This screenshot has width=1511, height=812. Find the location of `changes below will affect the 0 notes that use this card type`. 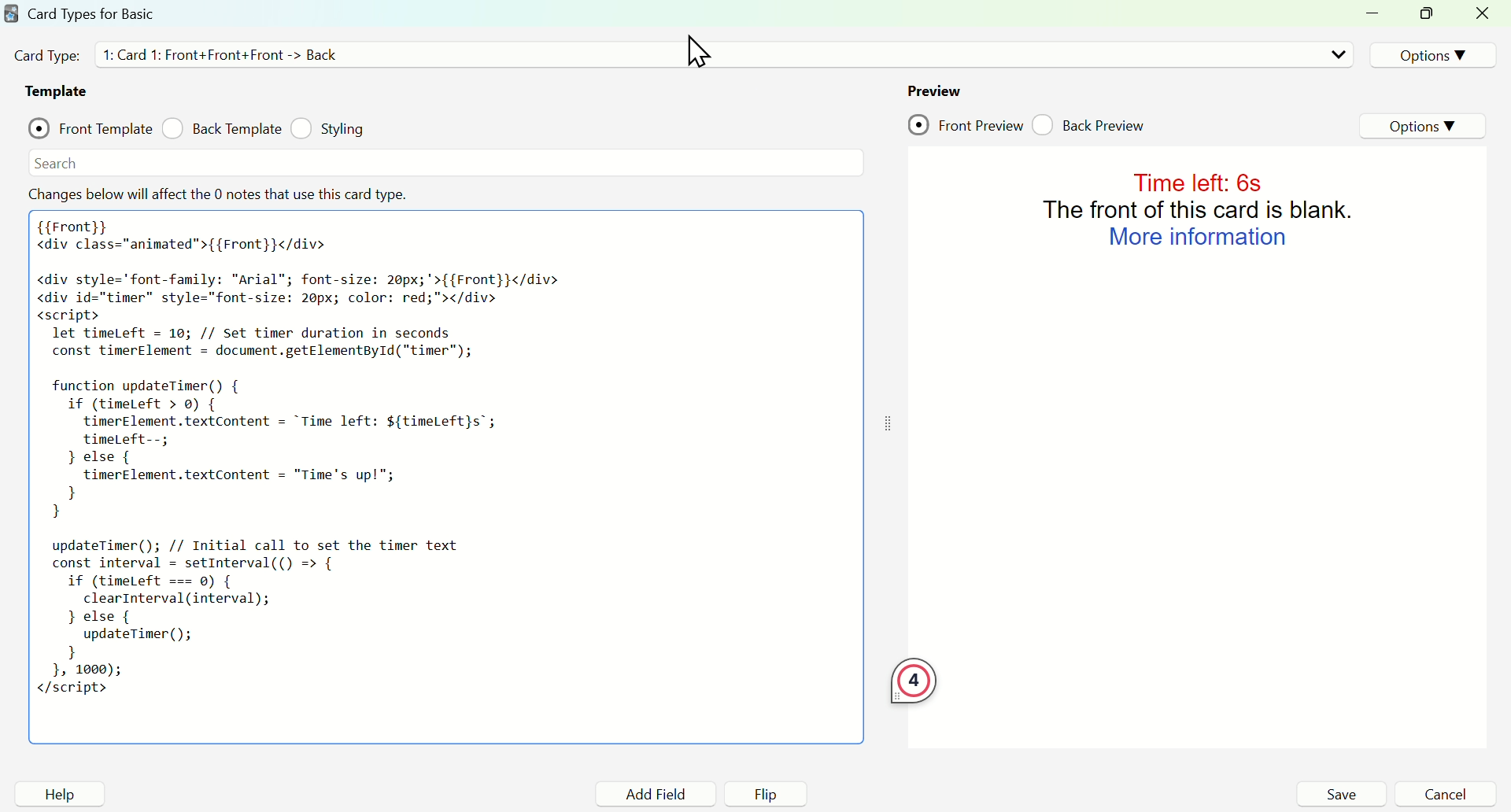

changes below will affect the 0 notes that use this card type is located at coordinates (221, 194).